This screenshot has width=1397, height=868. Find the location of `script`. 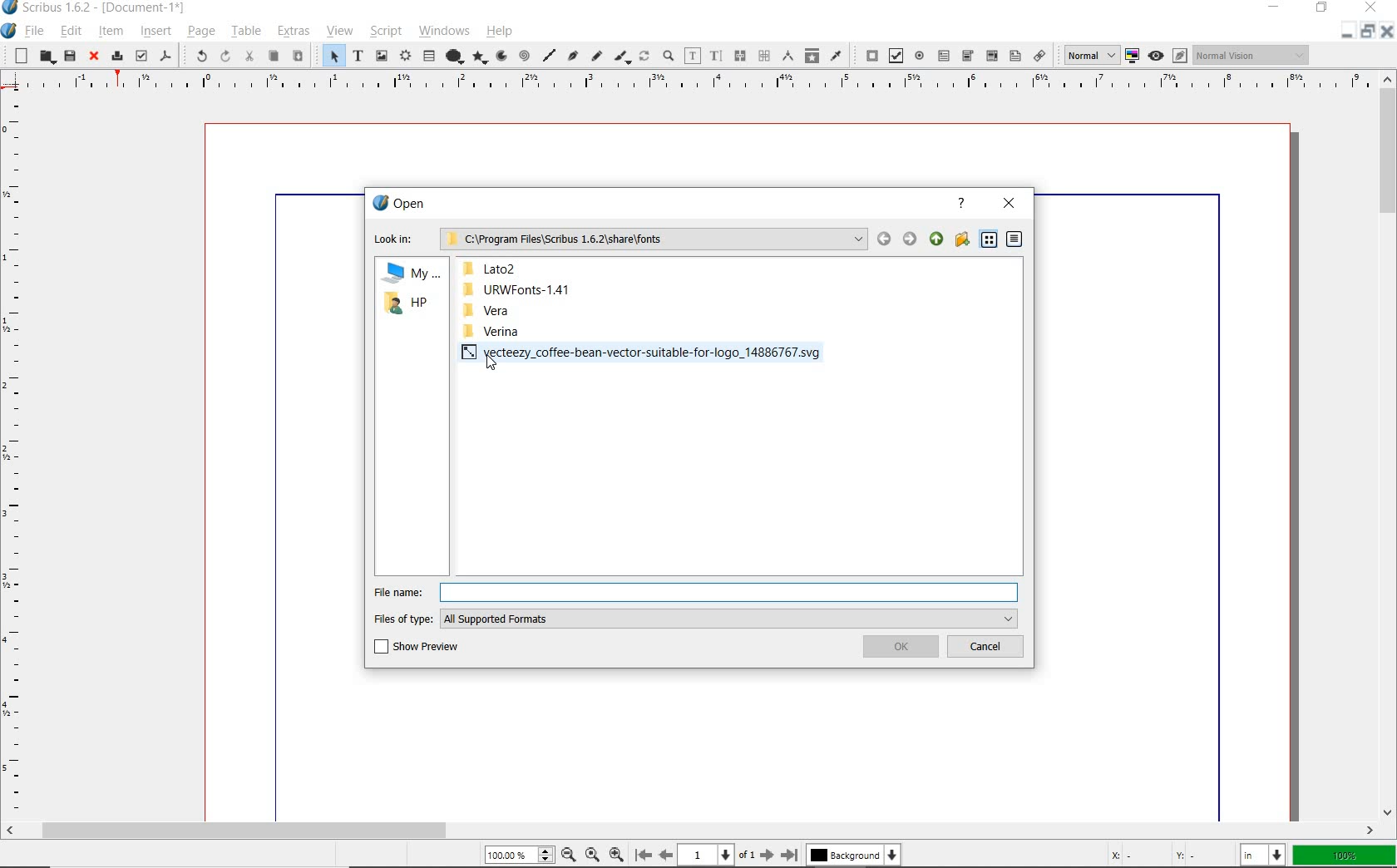

script is located at coordinates (385, 32).